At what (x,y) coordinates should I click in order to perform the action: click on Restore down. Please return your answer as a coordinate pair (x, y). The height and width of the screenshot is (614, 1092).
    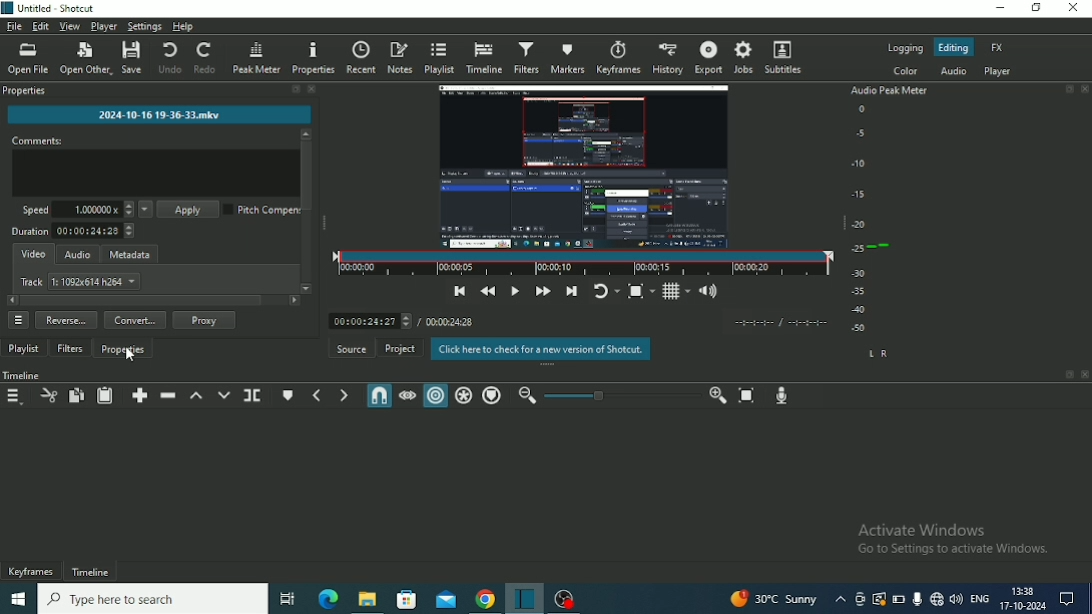
    Looking at the image, I should click on (1037, 7).